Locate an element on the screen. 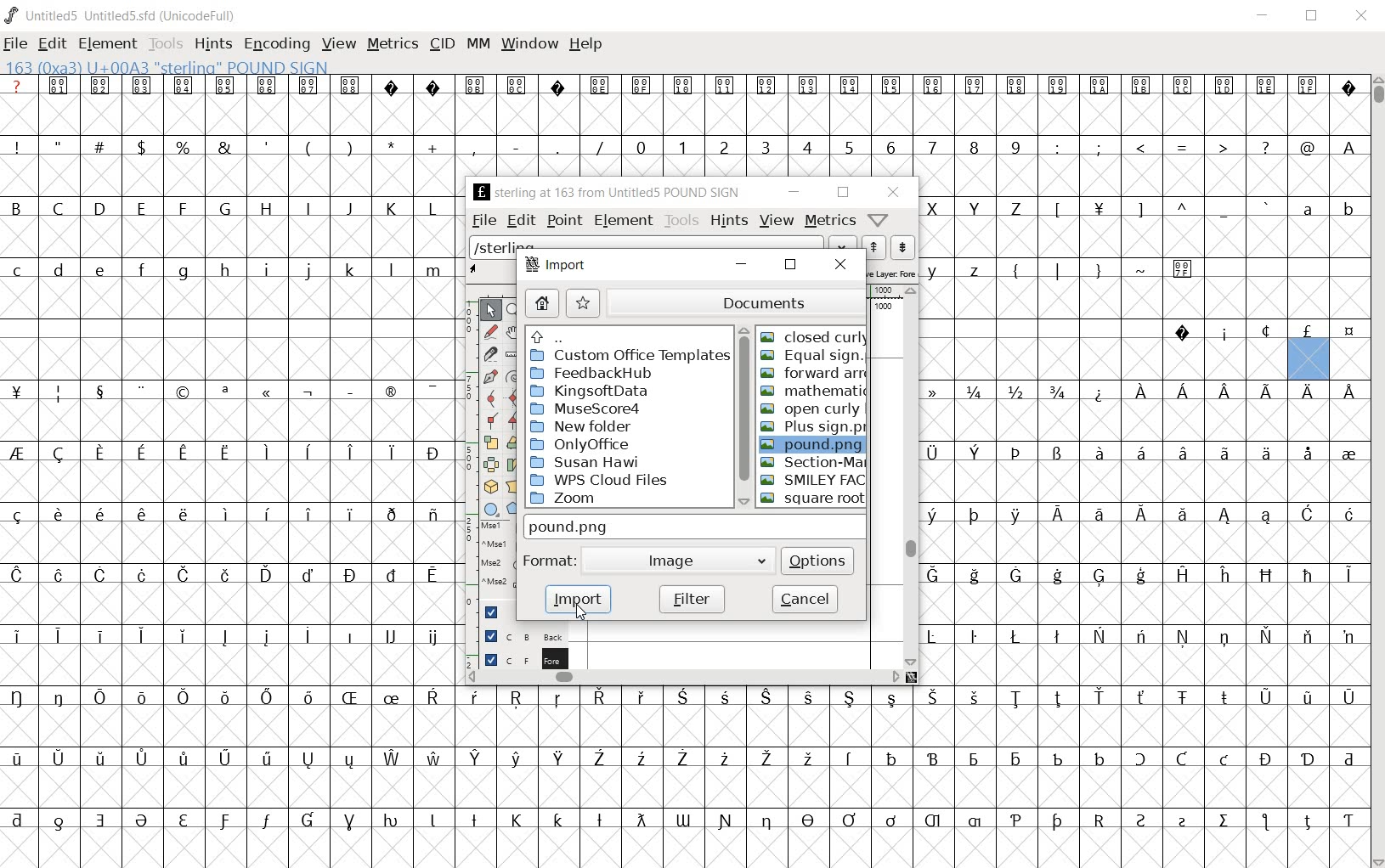 Image resolution: width=1385 pixels, height=868 pixels. Symbol is located at coordinates (181, 759).